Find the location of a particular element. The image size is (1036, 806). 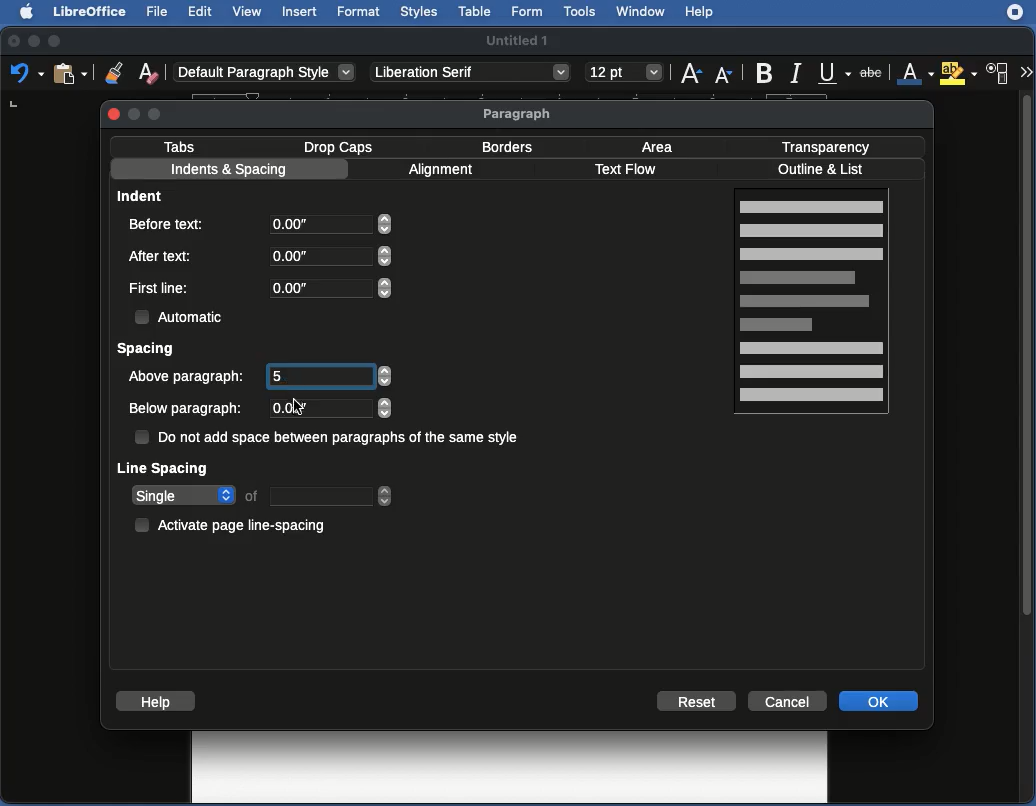

Transparency is located at coordinates (826, 145).